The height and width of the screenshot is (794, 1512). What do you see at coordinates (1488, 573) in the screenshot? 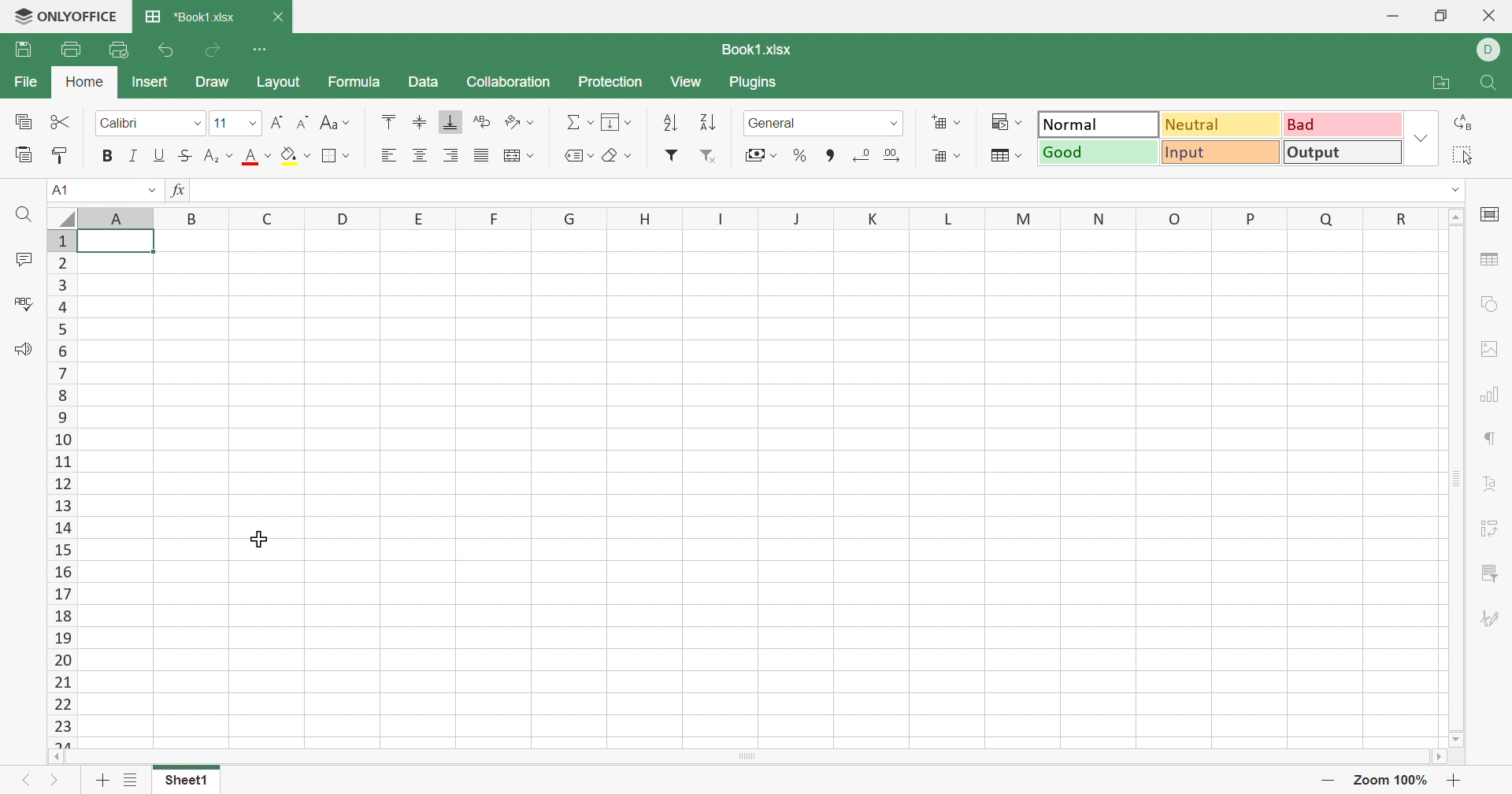
I see `Slicer settings` at bounding box center [1488, 573].